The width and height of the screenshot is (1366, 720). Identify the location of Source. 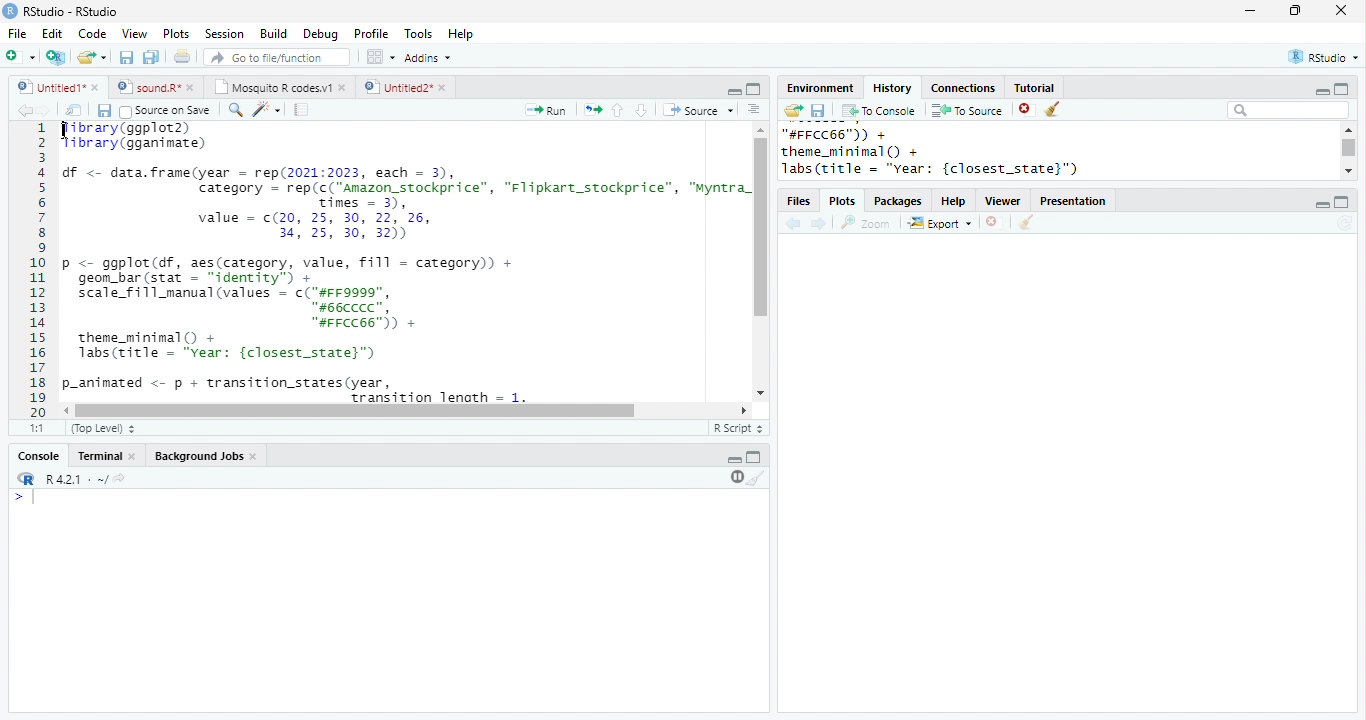
(698, 109).